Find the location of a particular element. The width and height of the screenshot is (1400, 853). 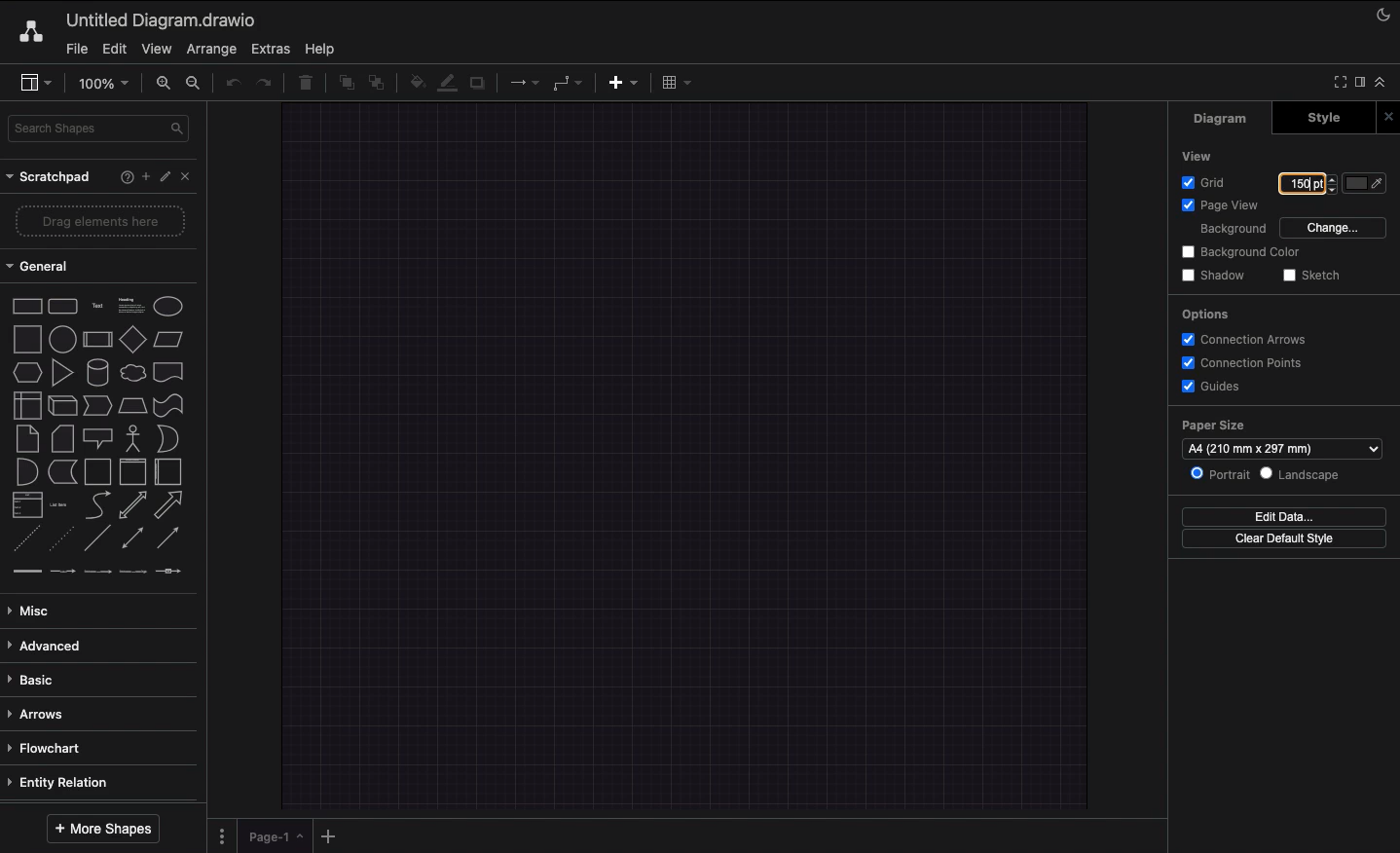

Diagram is located at coordinates (1222, 119).